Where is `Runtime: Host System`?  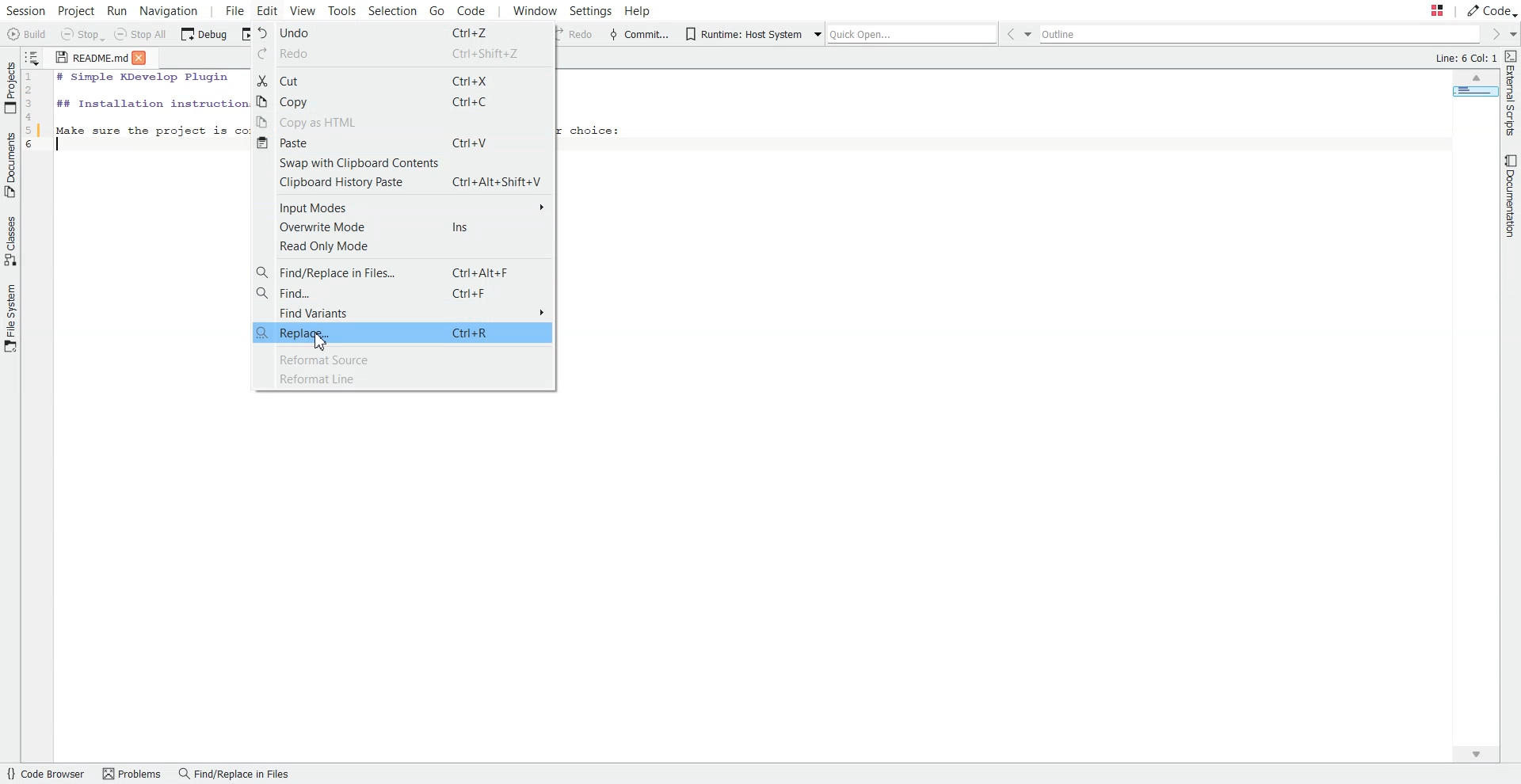
Runtime: Host System is located at coordinates (742, 34).